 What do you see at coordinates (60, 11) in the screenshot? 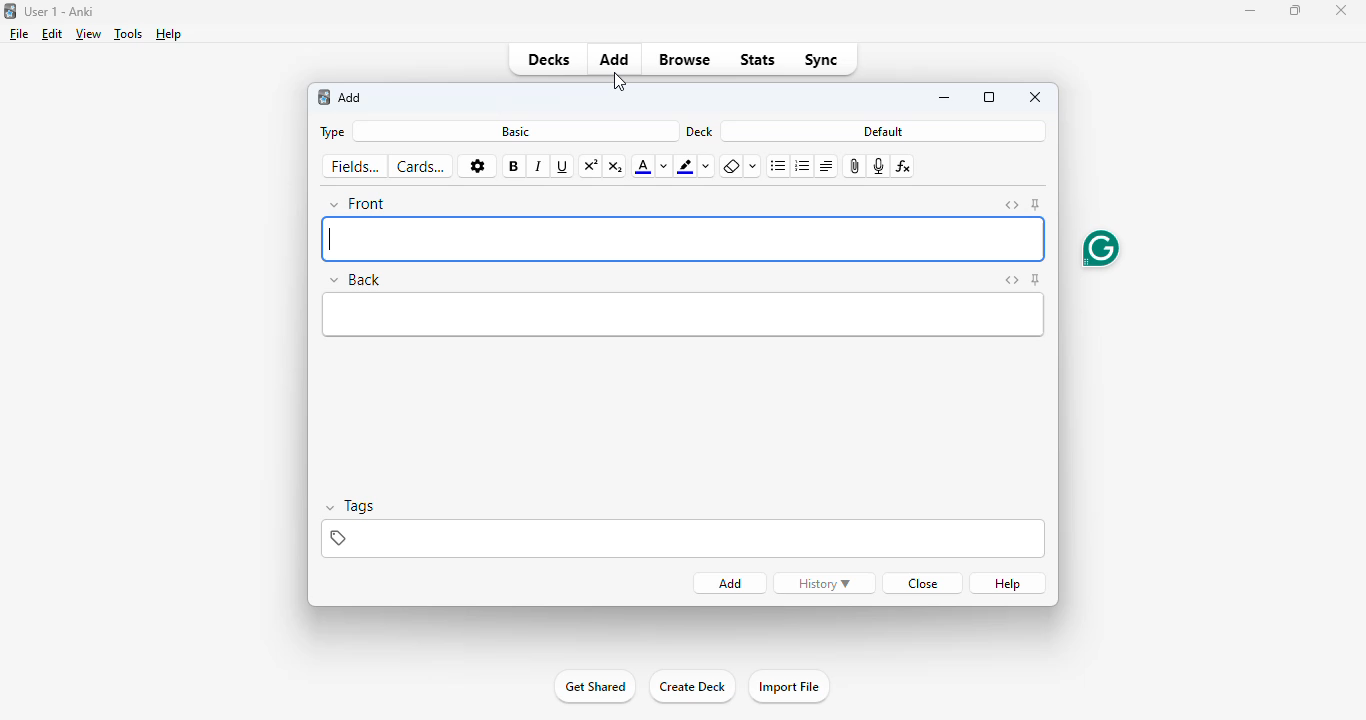
I see `title` at bounding box center [60, 11].